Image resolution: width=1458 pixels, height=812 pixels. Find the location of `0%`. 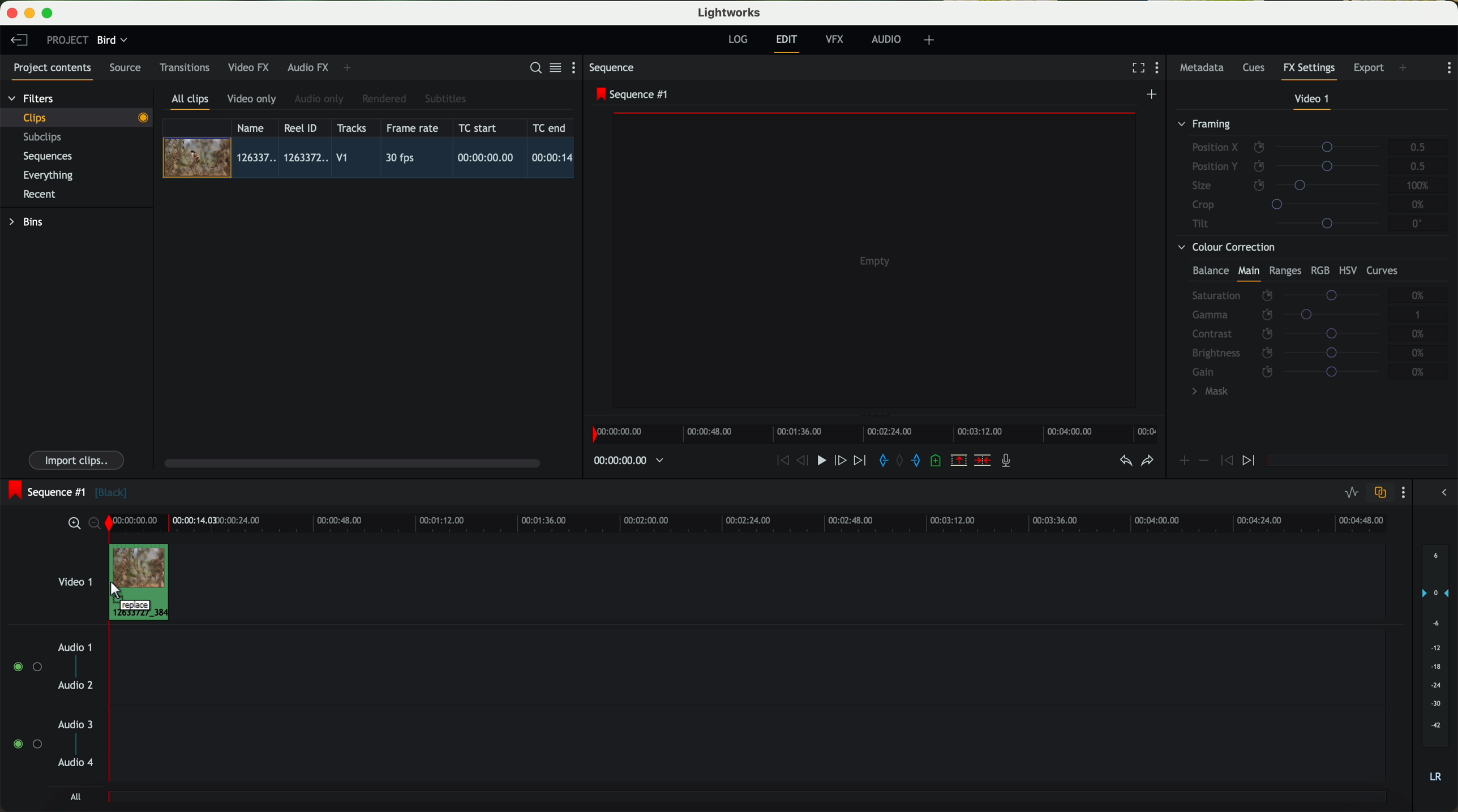

0% is located at coordinates (1418, 295).